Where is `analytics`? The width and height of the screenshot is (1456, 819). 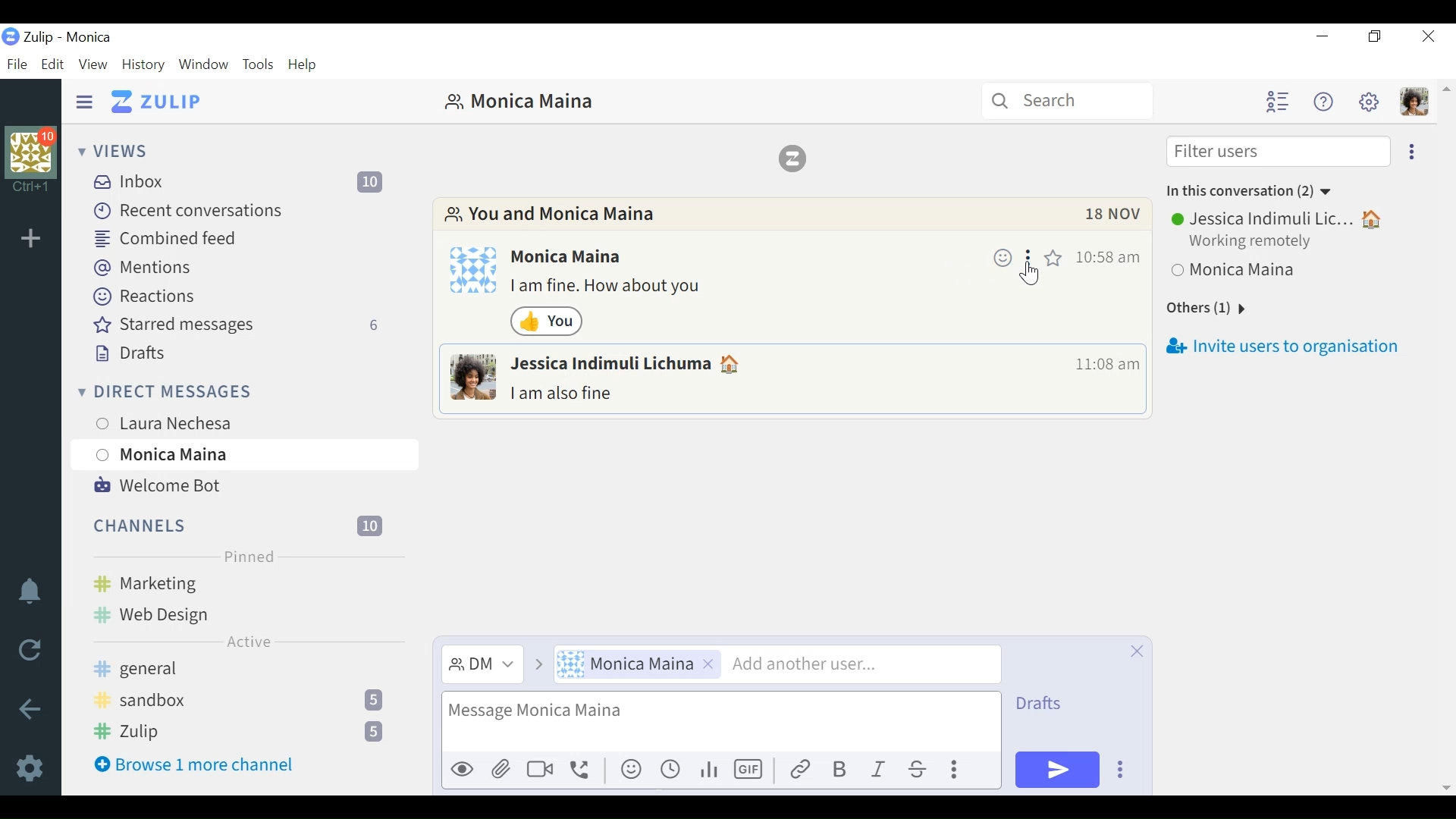
analytics is located at coordinates (709, 770).